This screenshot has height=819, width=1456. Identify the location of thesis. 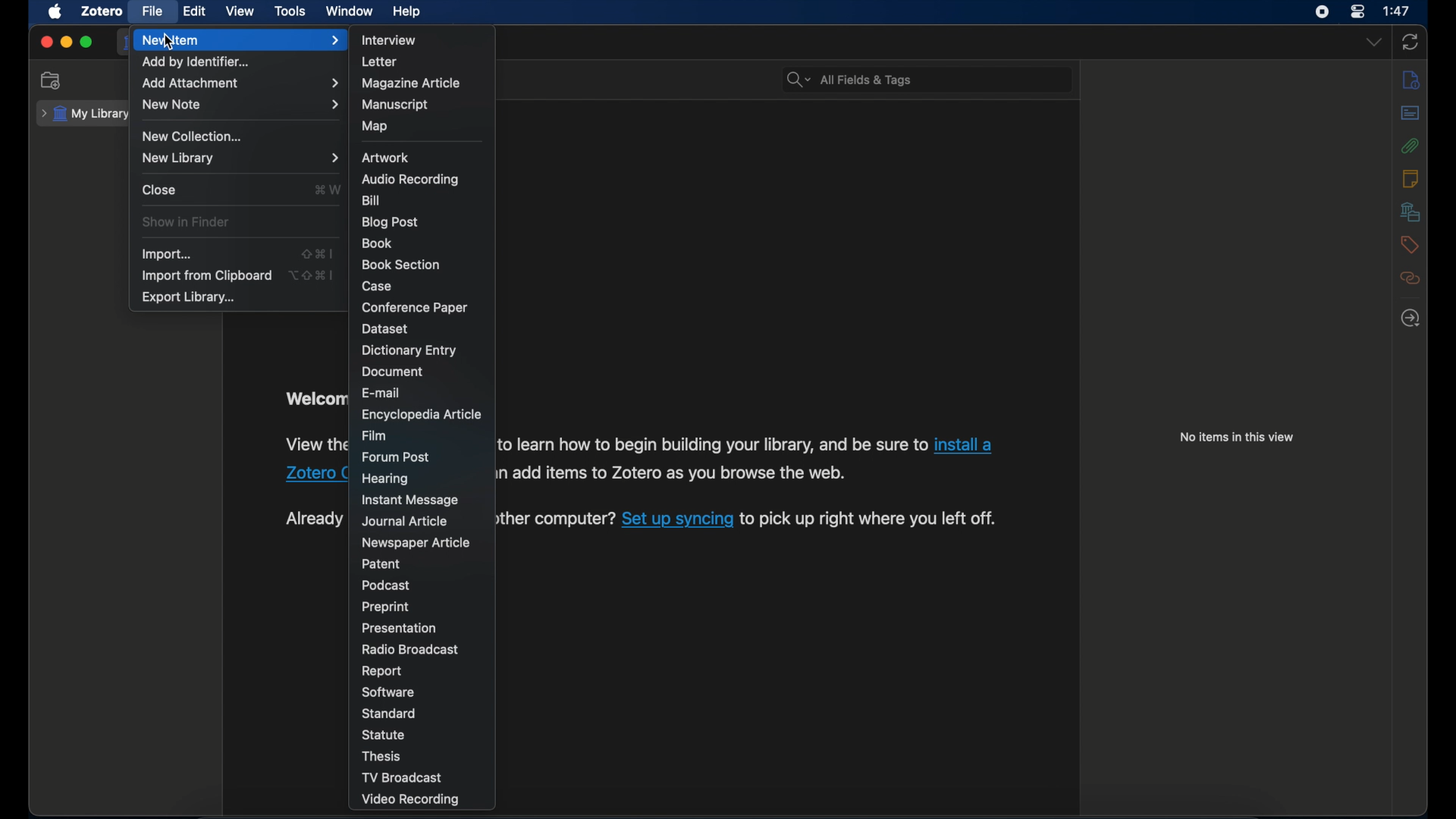
(383, 757).